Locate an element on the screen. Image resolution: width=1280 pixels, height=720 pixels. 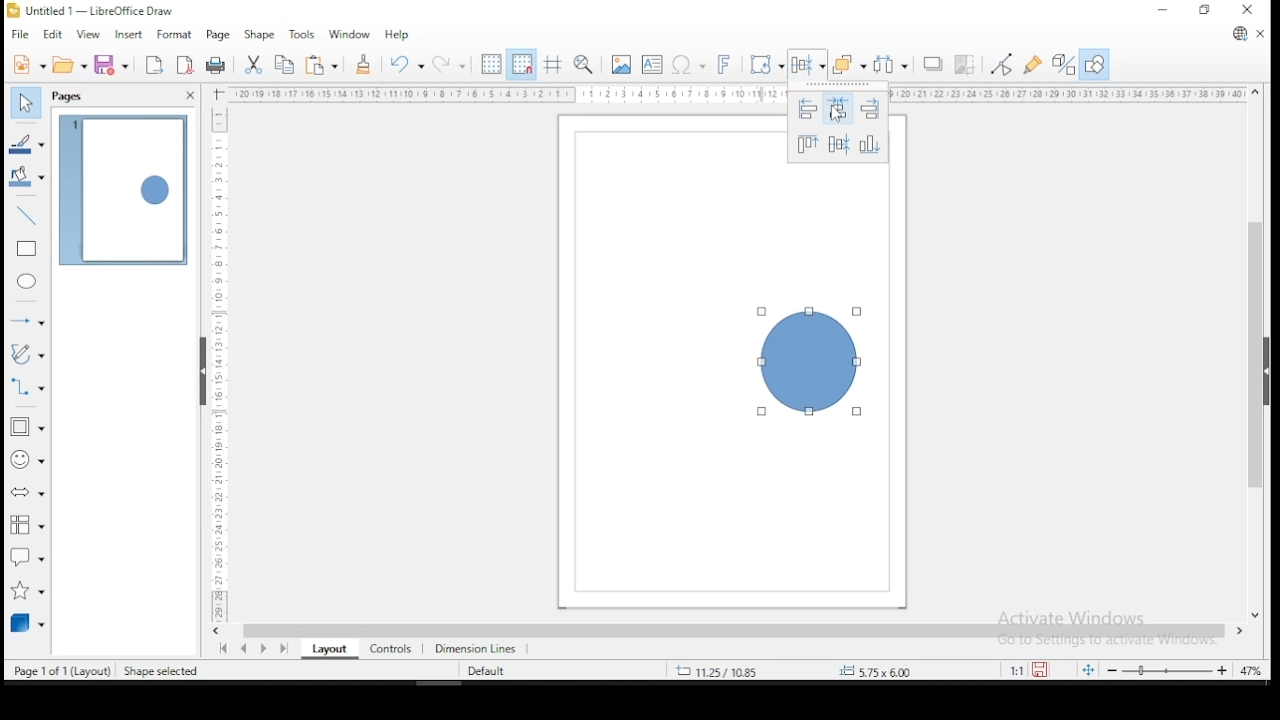
bottom is located at coordinates (872, 144).